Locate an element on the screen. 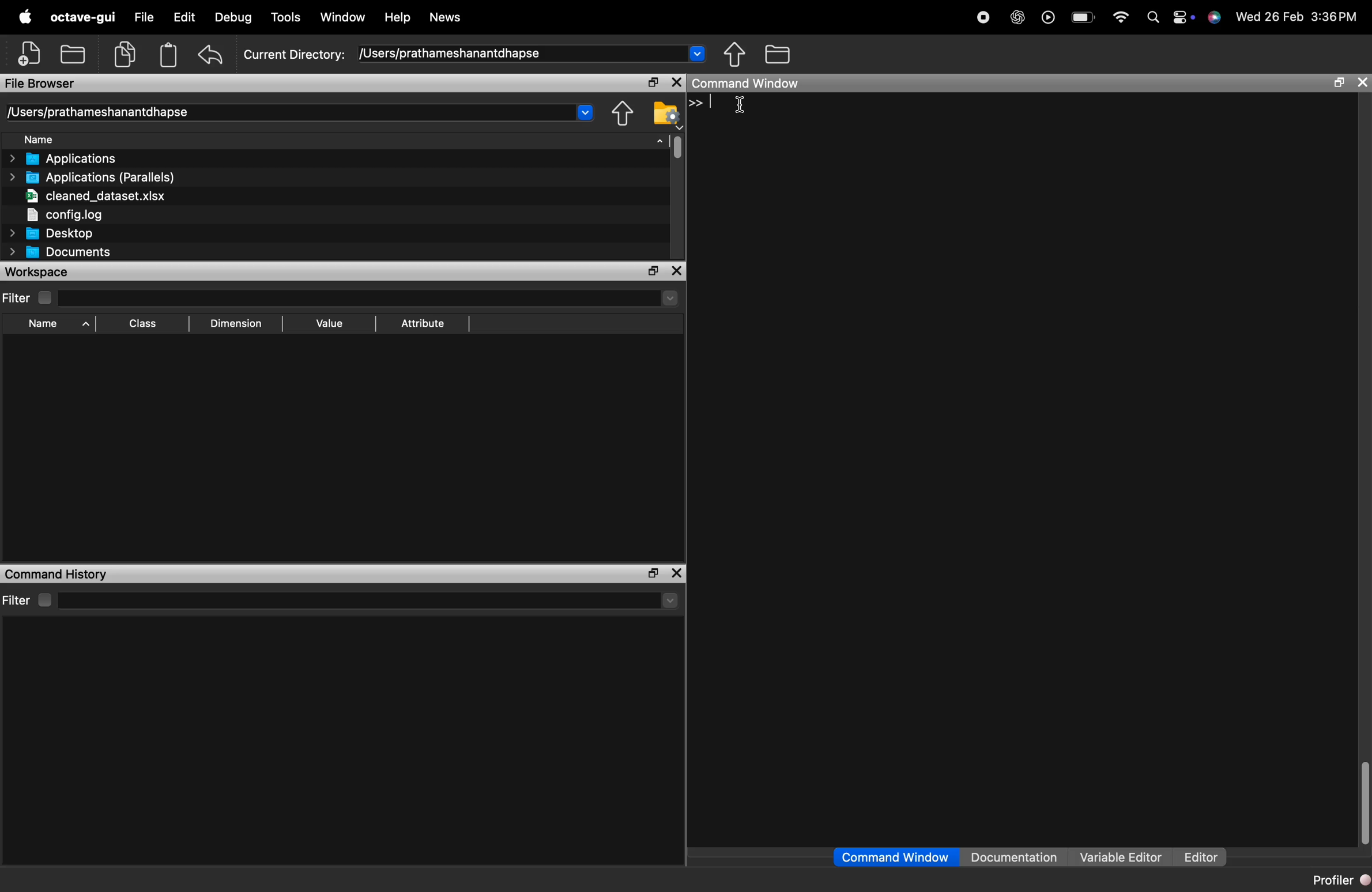 Image resolution: width=1372 pixels, height=892 pixels. Siri is located at coordinates (1216, 17).